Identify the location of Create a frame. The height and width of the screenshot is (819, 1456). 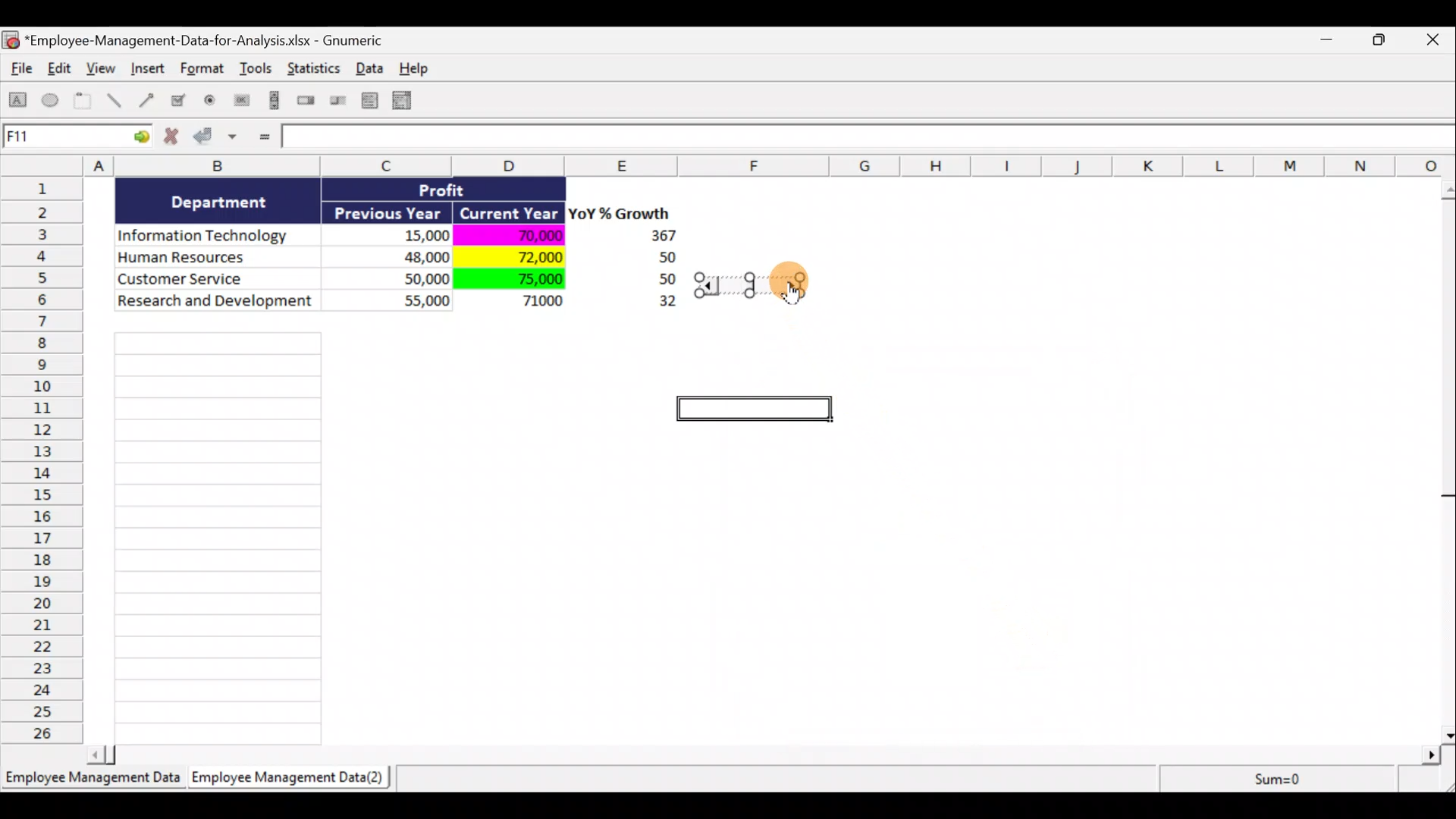
(83, 102).